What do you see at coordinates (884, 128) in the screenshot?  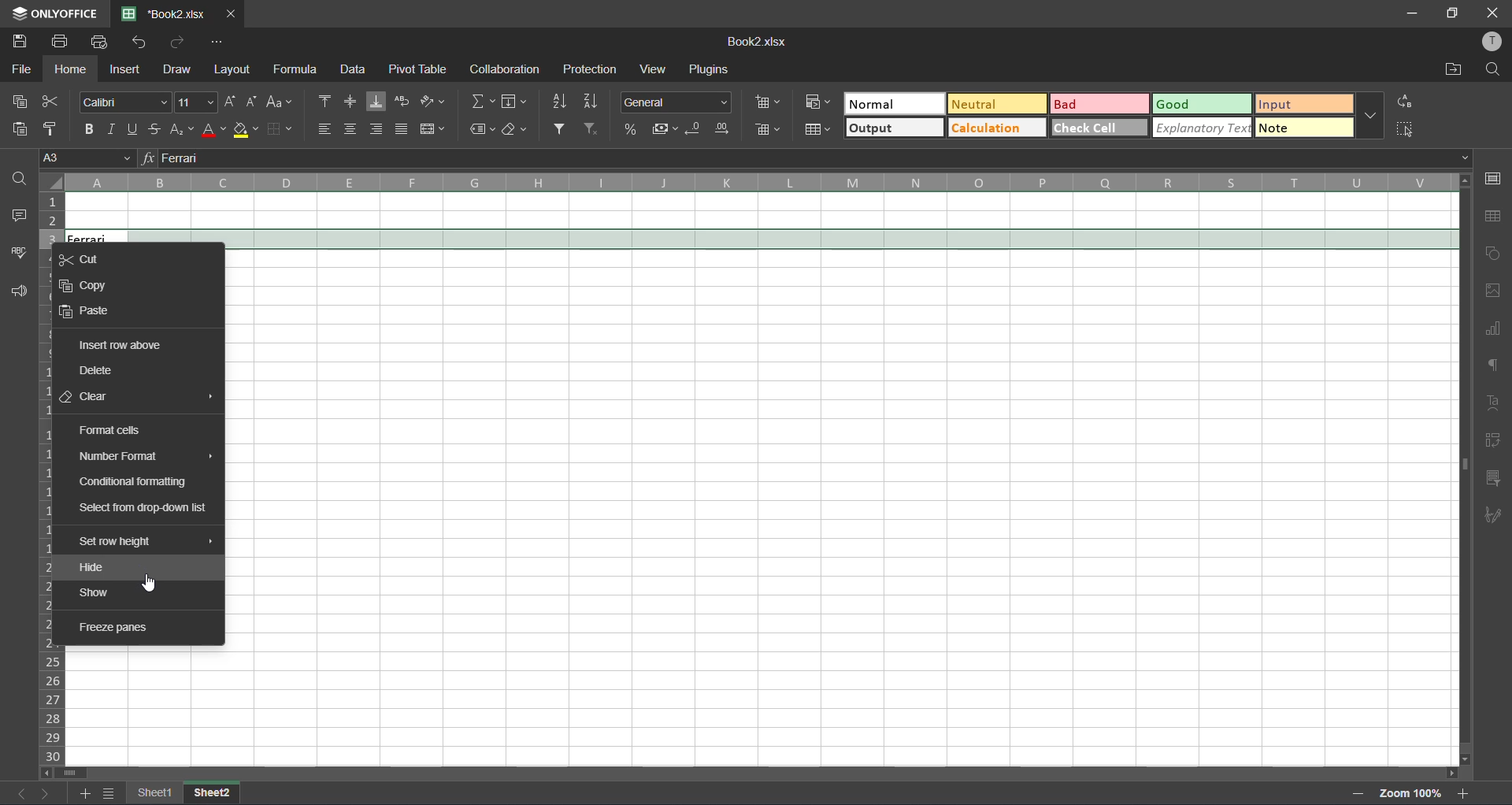 I see `output` at bounding box center [884, 128].